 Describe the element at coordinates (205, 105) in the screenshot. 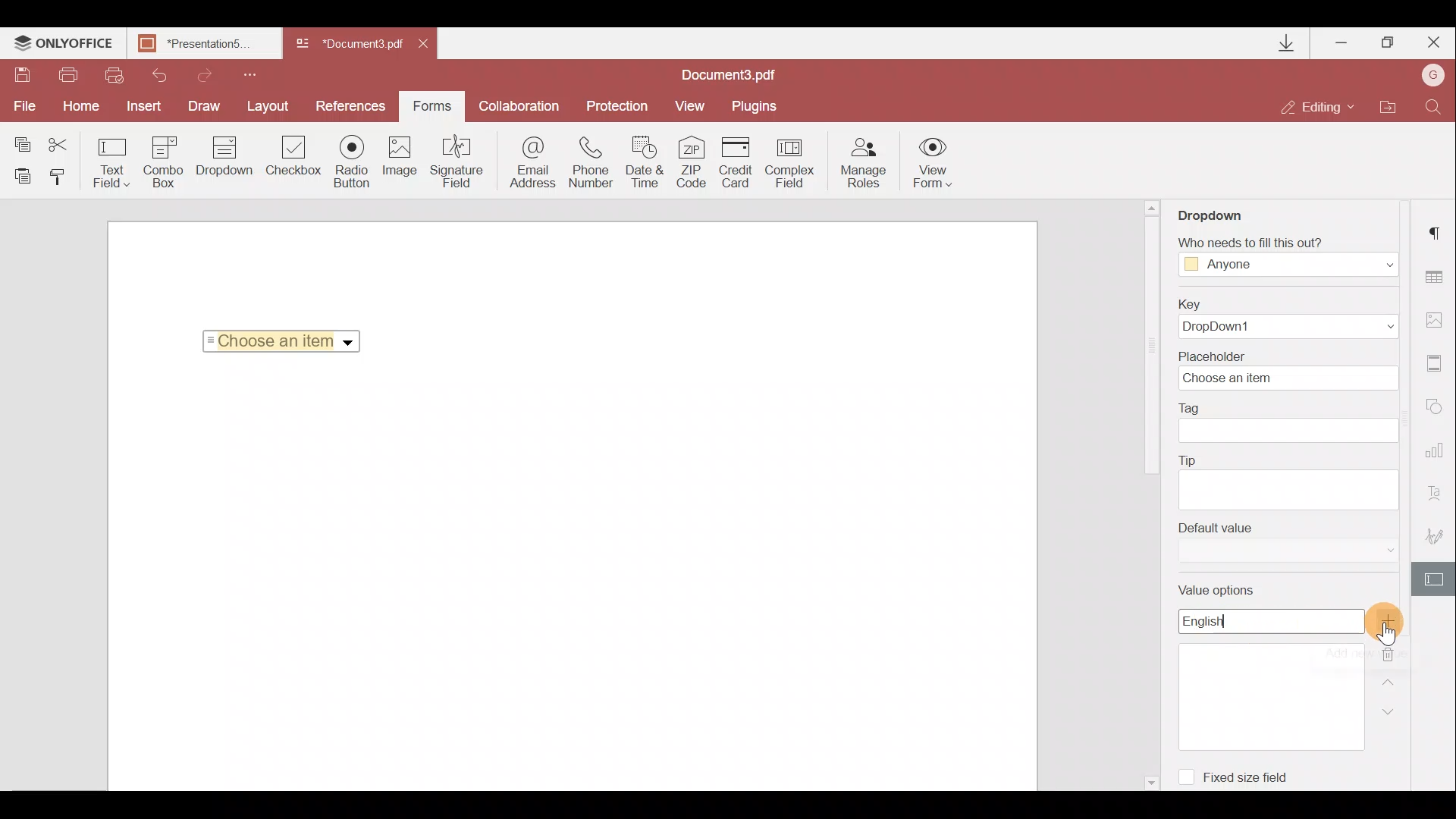

I see `Draw` at that location.